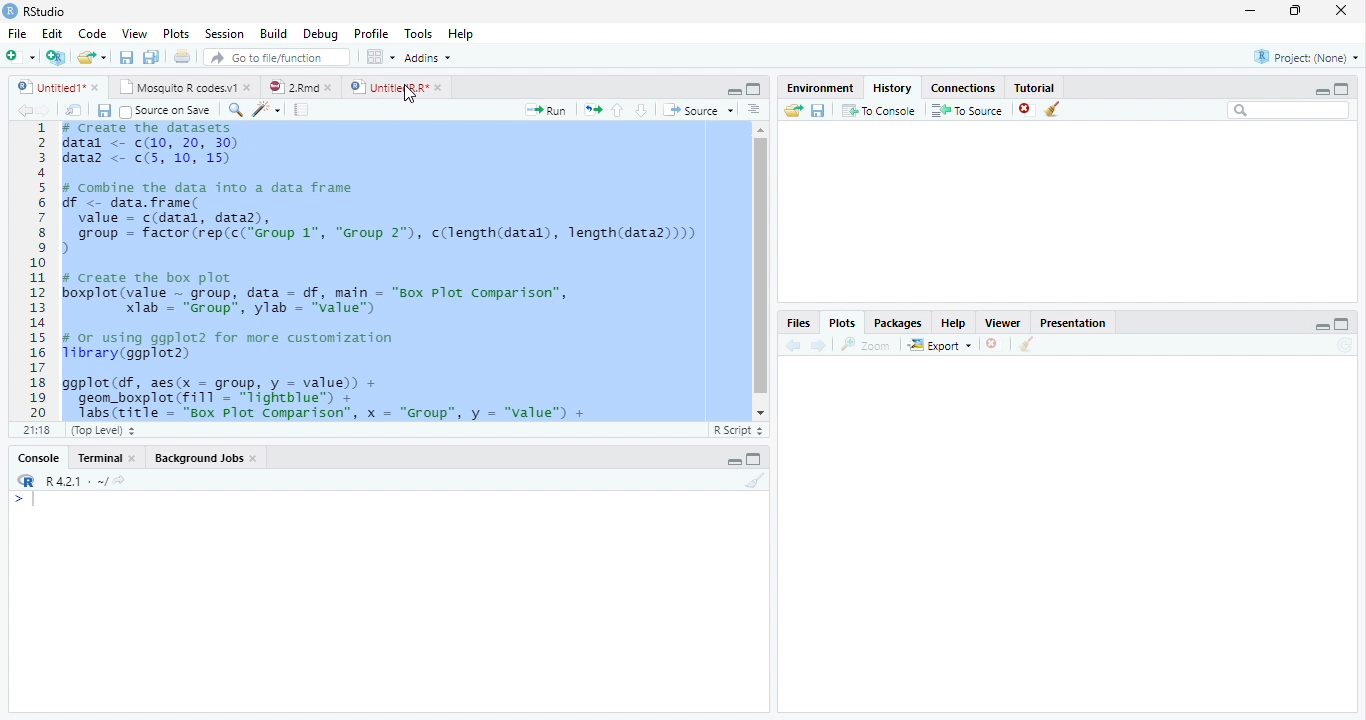 The height and width of the screenshot is (720, 1366). What do you see at coordinates (1321, 326) in the screenshot?
I see `Minimize` at bounding box center [1321, 326].